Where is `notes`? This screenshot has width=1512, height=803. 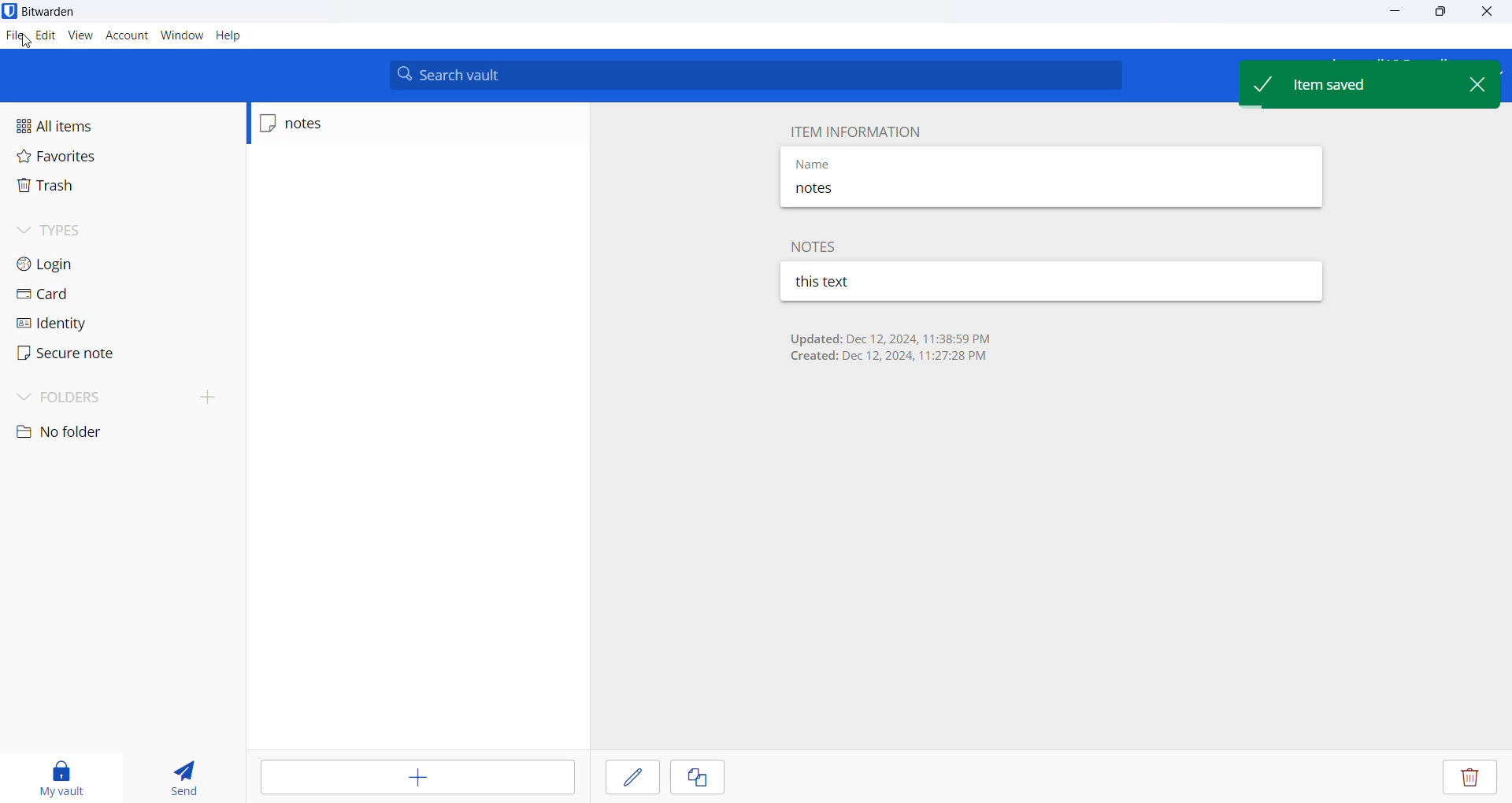 notes is located at coordinates (328, 124).